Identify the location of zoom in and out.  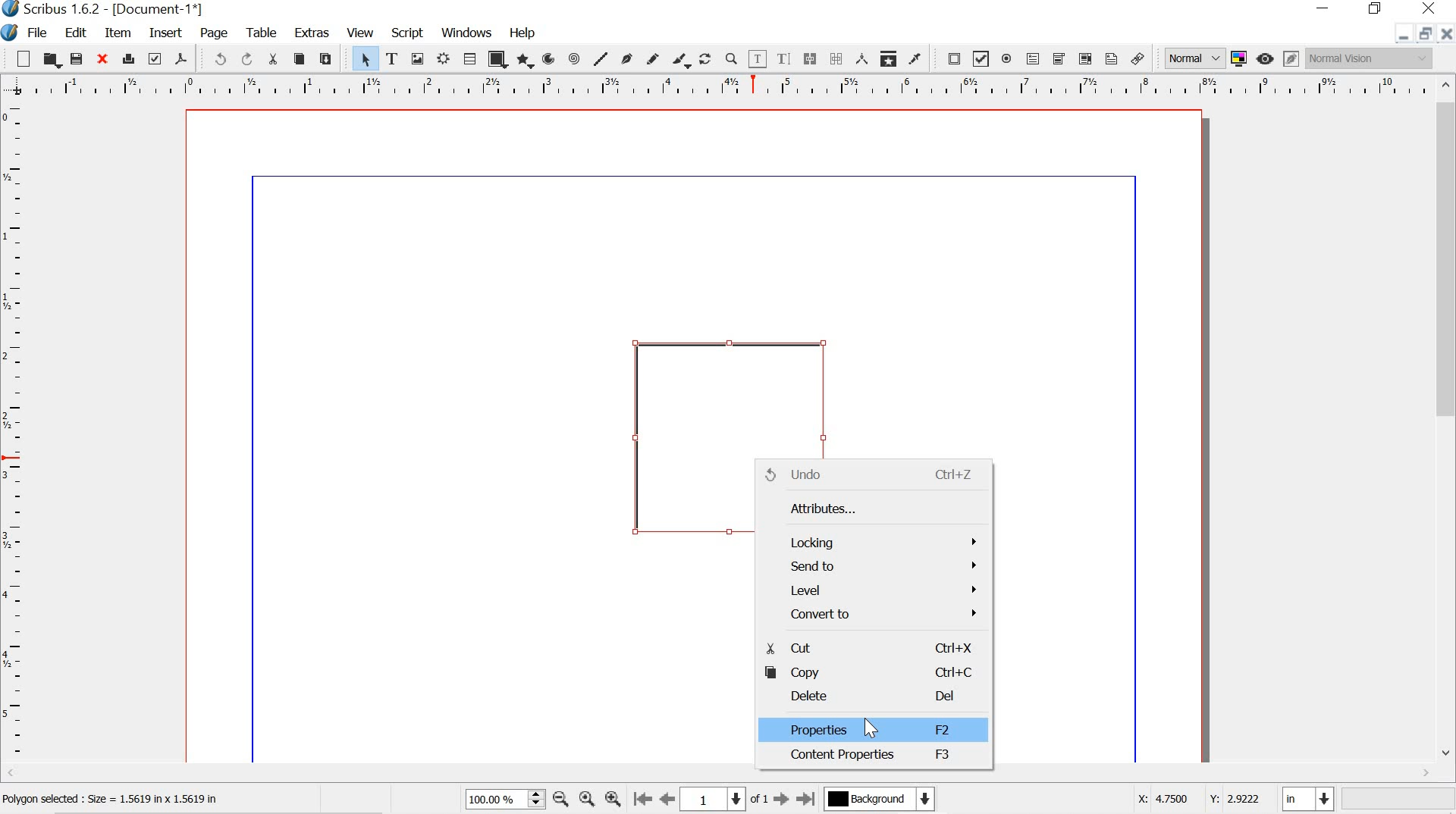
(534, 799).